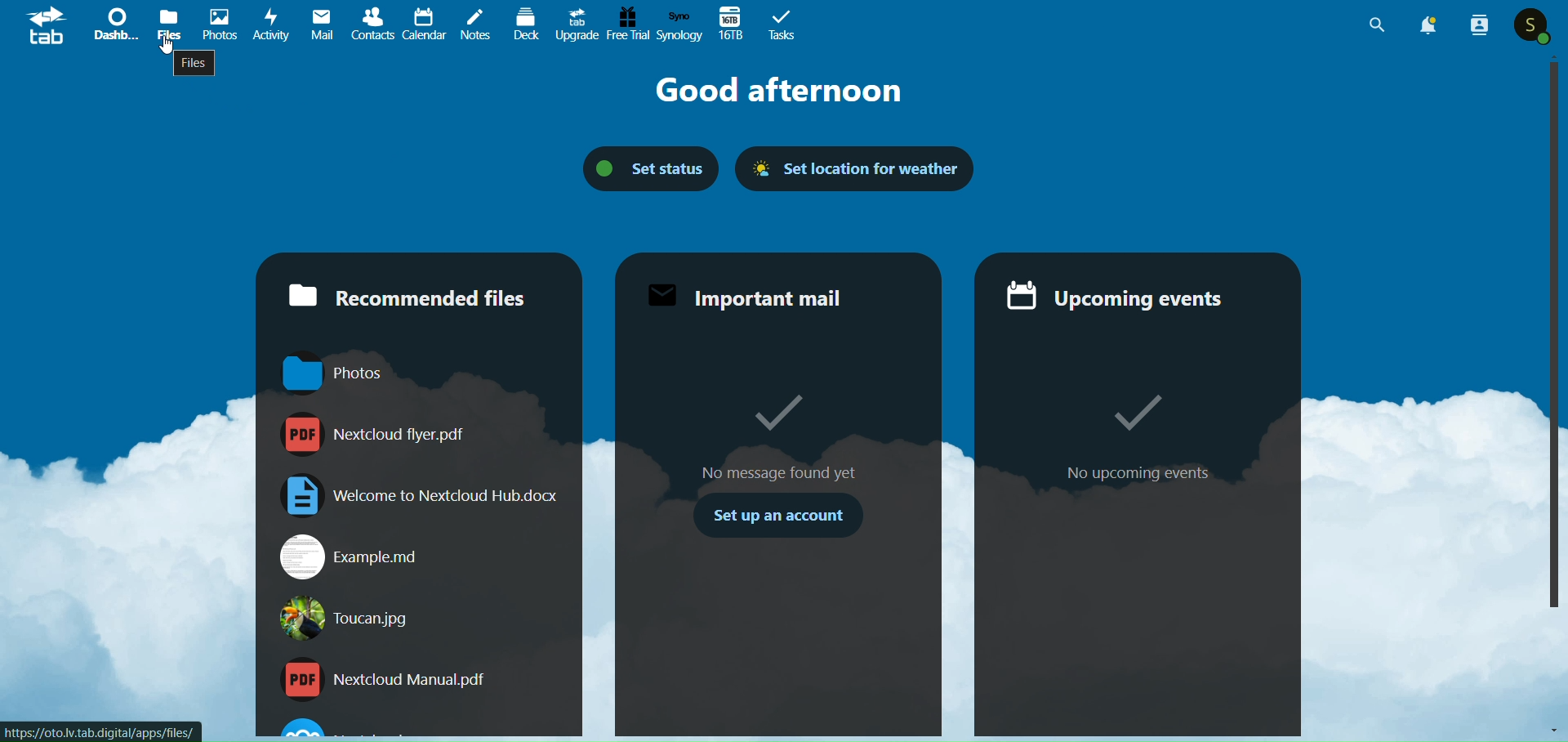  What do you see at coordinates (577, 25) in the screenshot?
I see `upgrade` at bounding box center [577, 25].